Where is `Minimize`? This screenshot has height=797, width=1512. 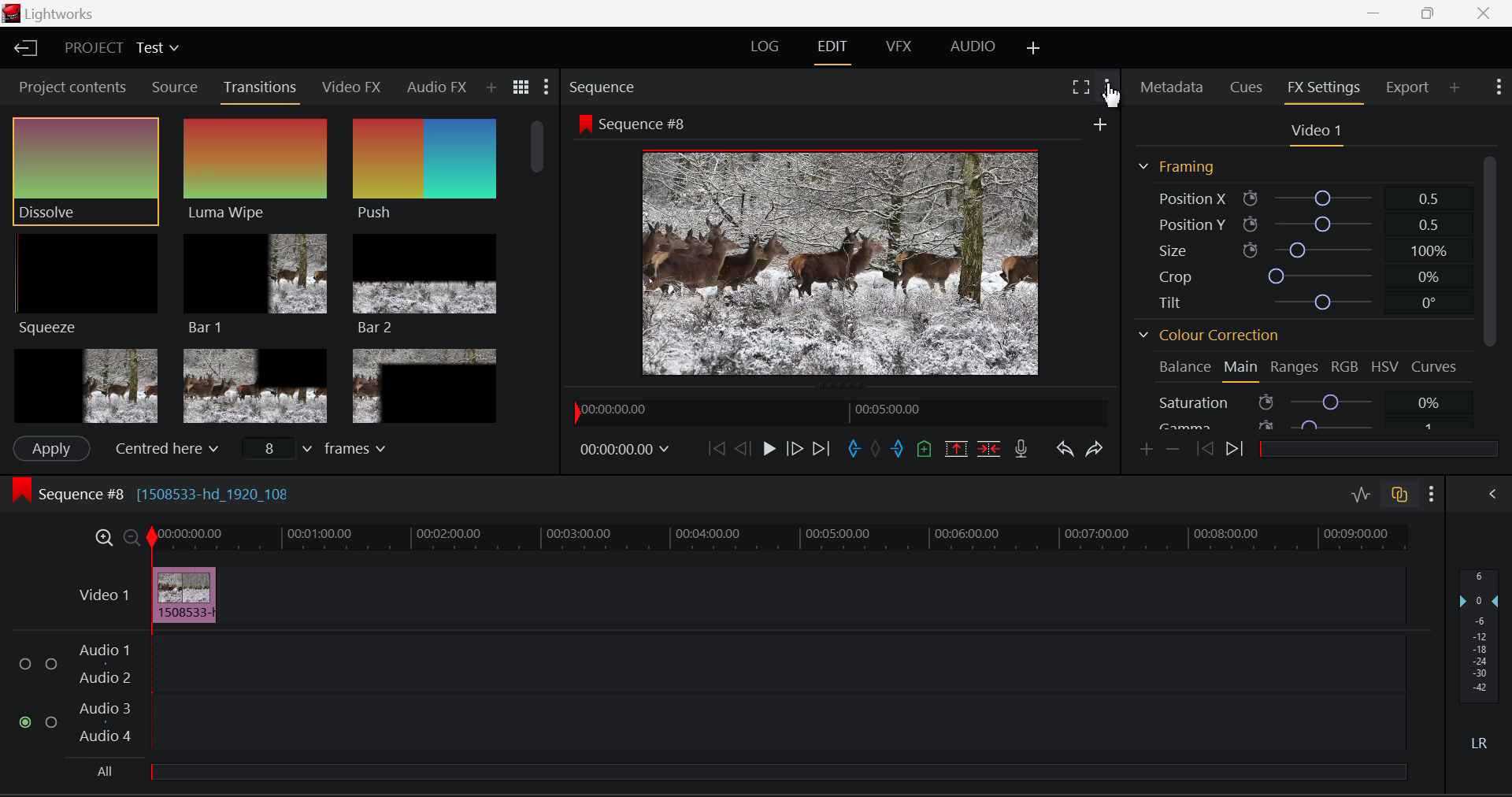
Minimize is located at coordinates (1430, 13).